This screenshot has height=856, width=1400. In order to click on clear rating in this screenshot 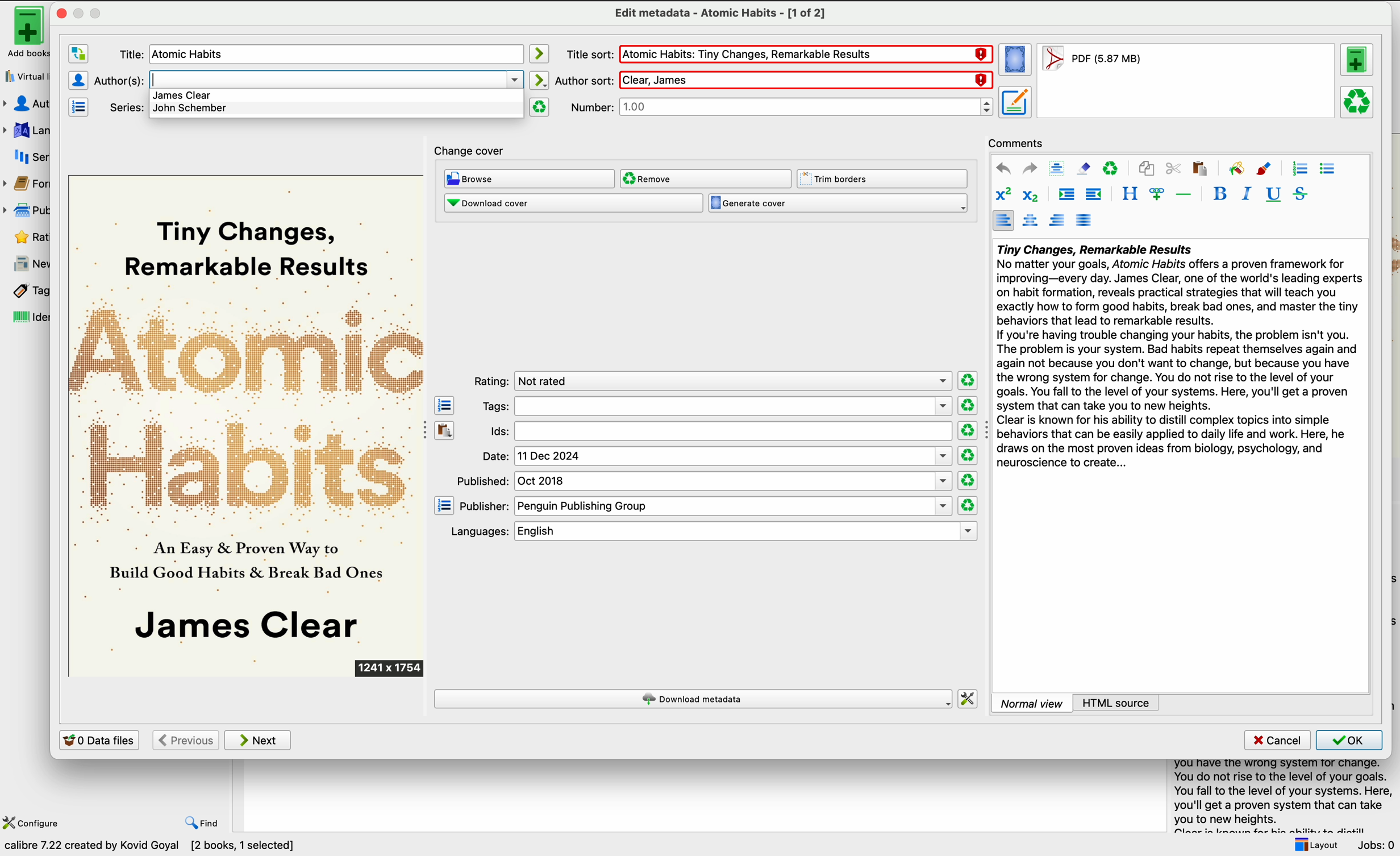, I will do `click(966, 481)`.